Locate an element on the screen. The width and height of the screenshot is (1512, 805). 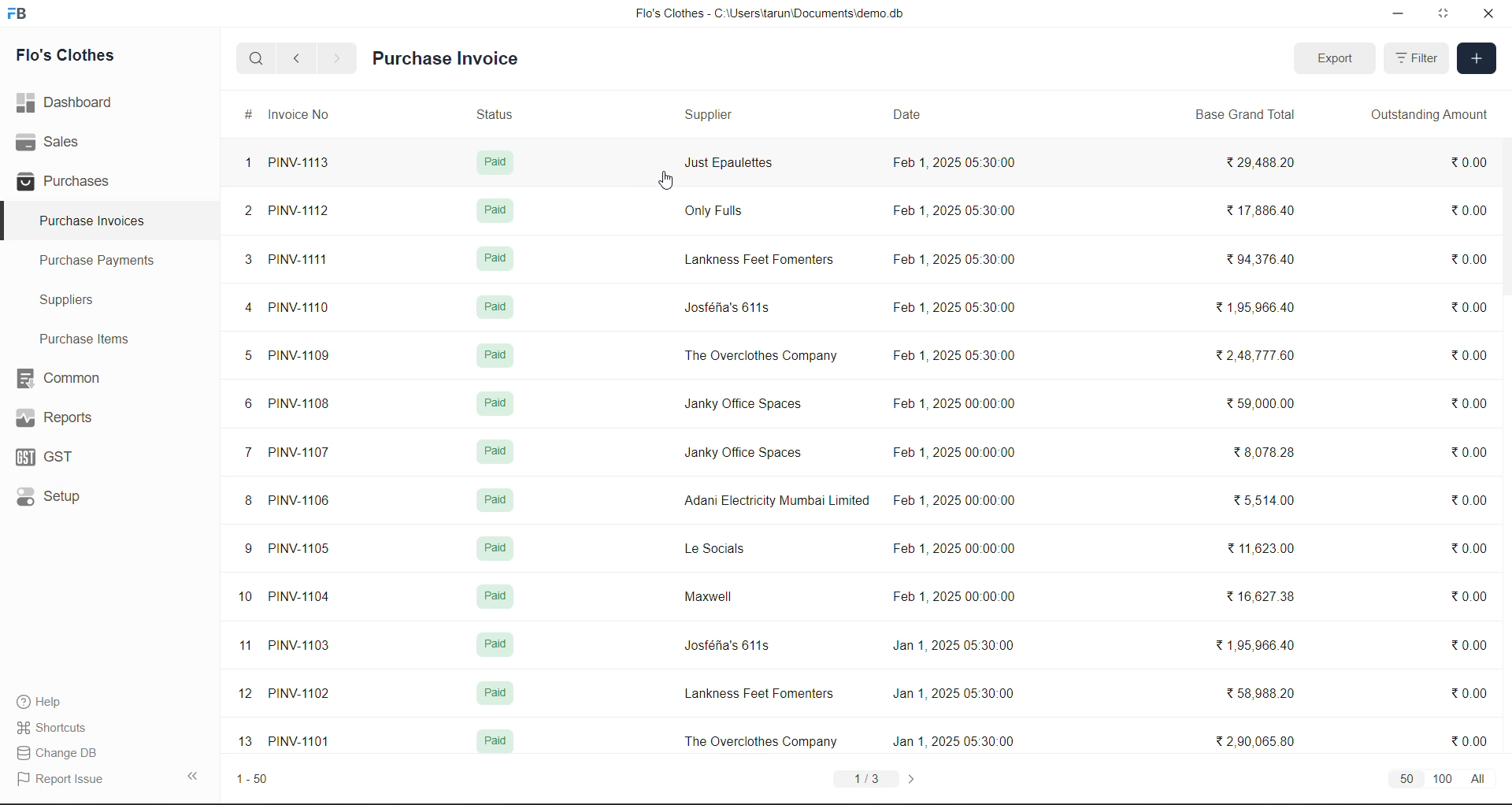
Adani Electricity Mumbai Limited is located at coordinates (773, 504).